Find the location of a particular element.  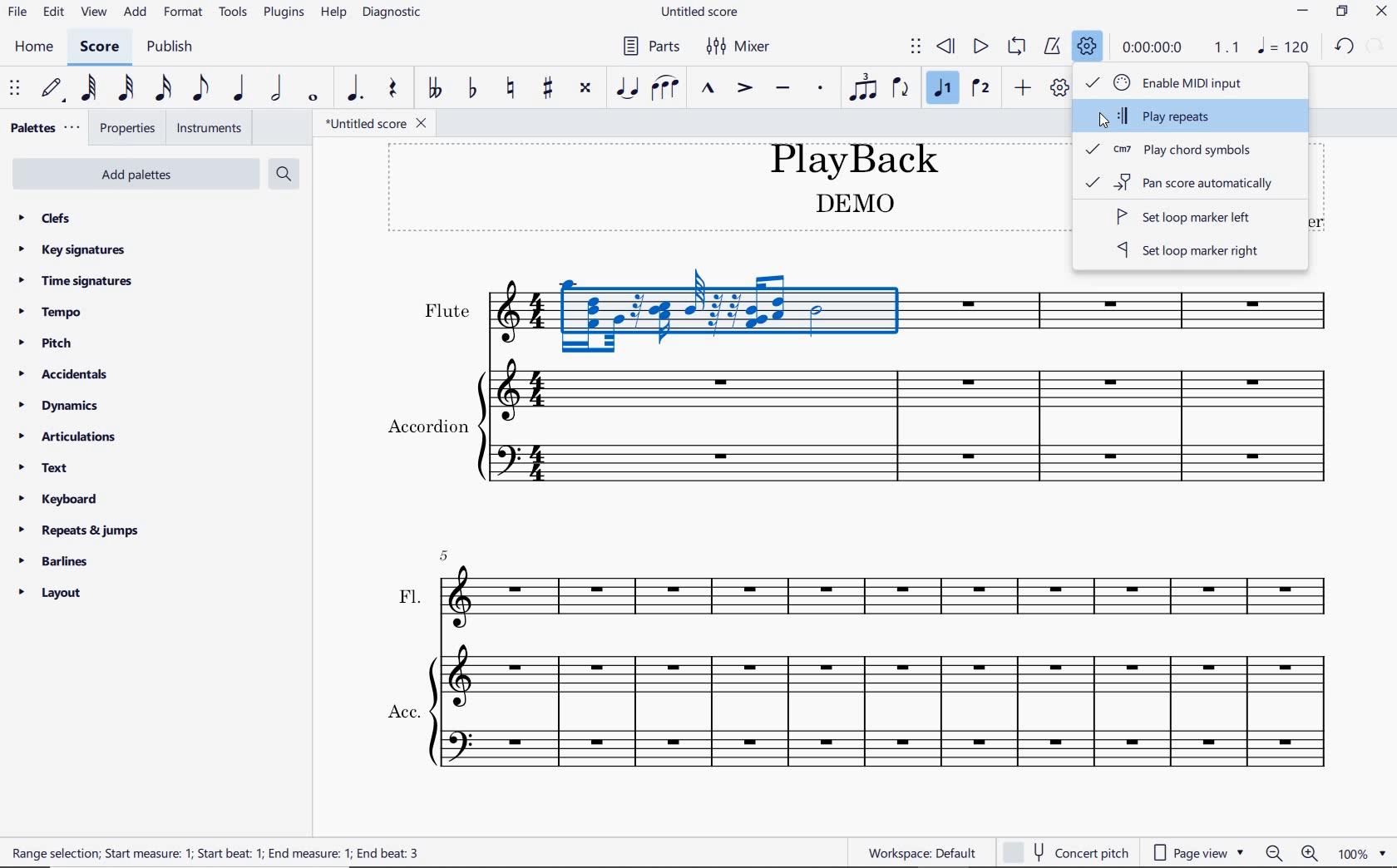

toggle natural is located at coordinates (509, 87).